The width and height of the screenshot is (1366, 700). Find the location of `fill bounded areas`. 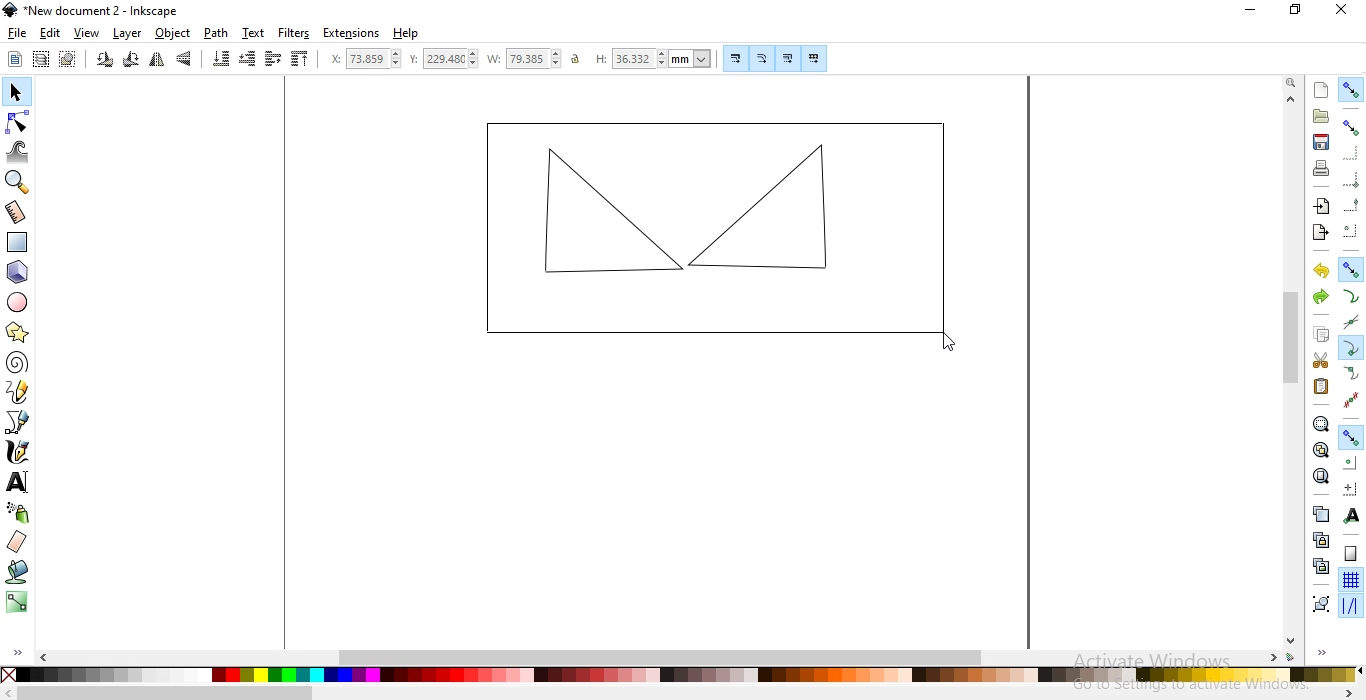

fill bounded areas is located at coordinates (17, 573).